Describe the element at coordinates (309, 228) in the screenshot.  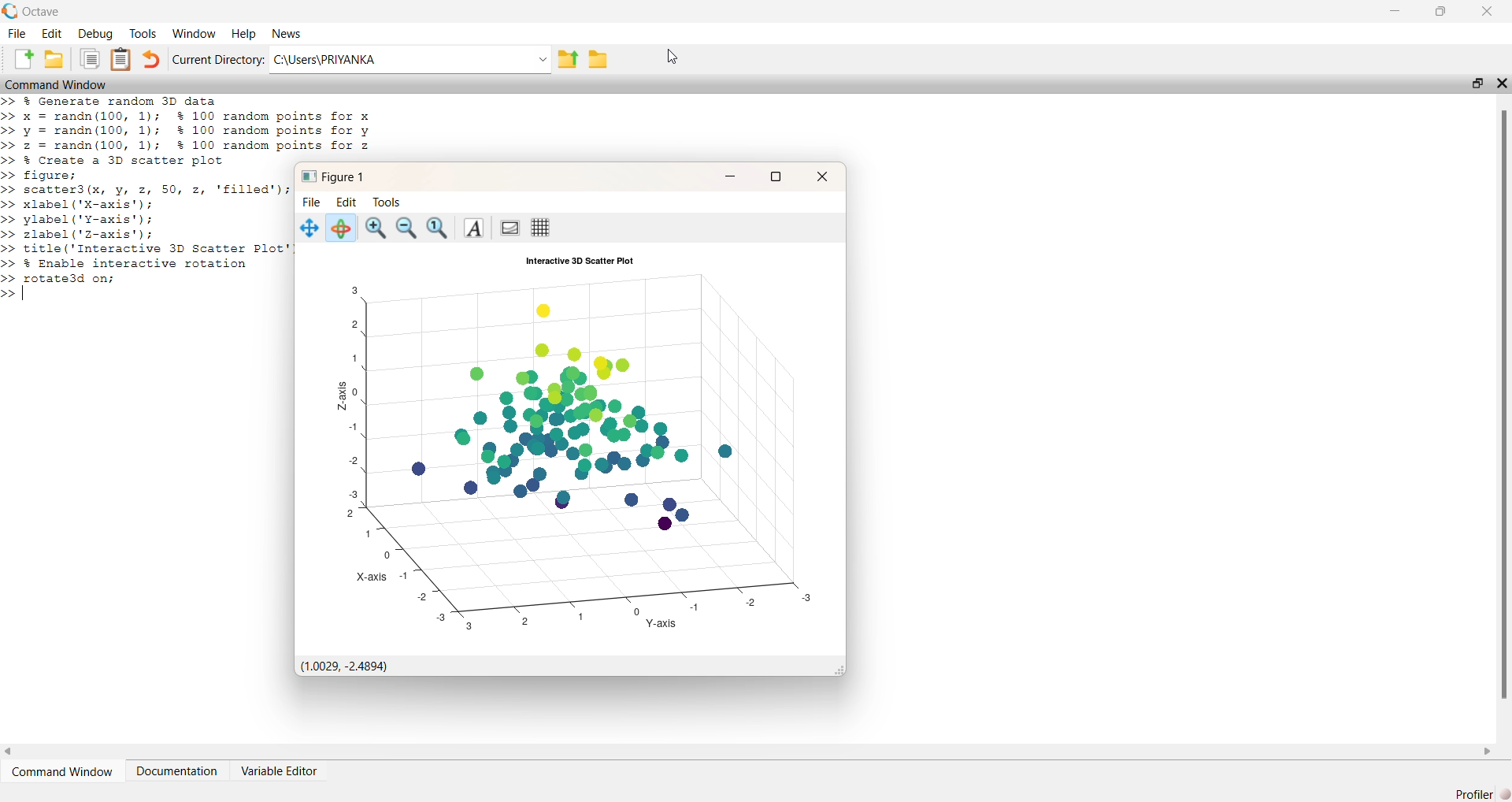
I see `move` at that location.